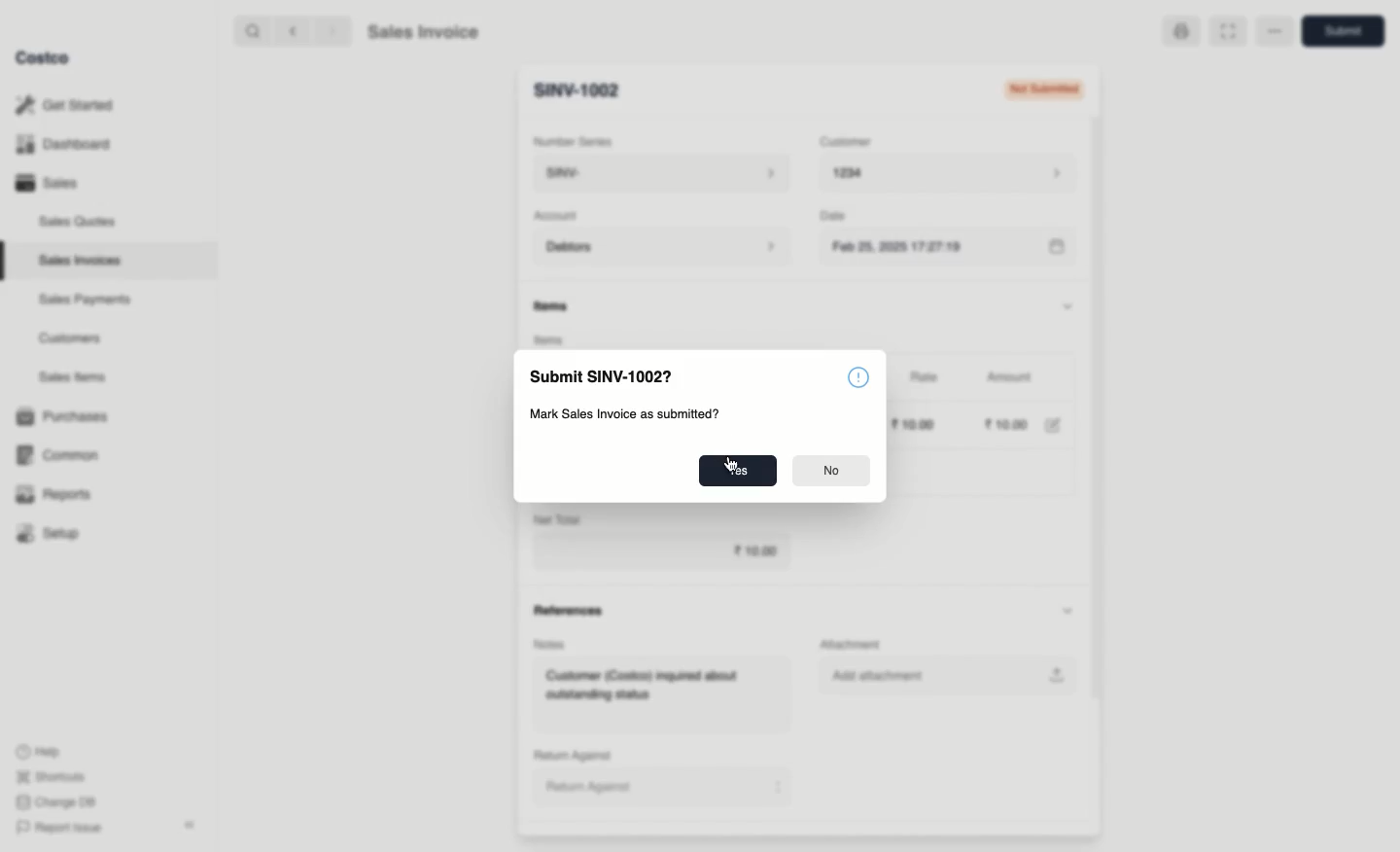 The image size is (1400, 852). Describe the element at coordinates (663, 174) in the screenshot. I see `SINV-` at that location.